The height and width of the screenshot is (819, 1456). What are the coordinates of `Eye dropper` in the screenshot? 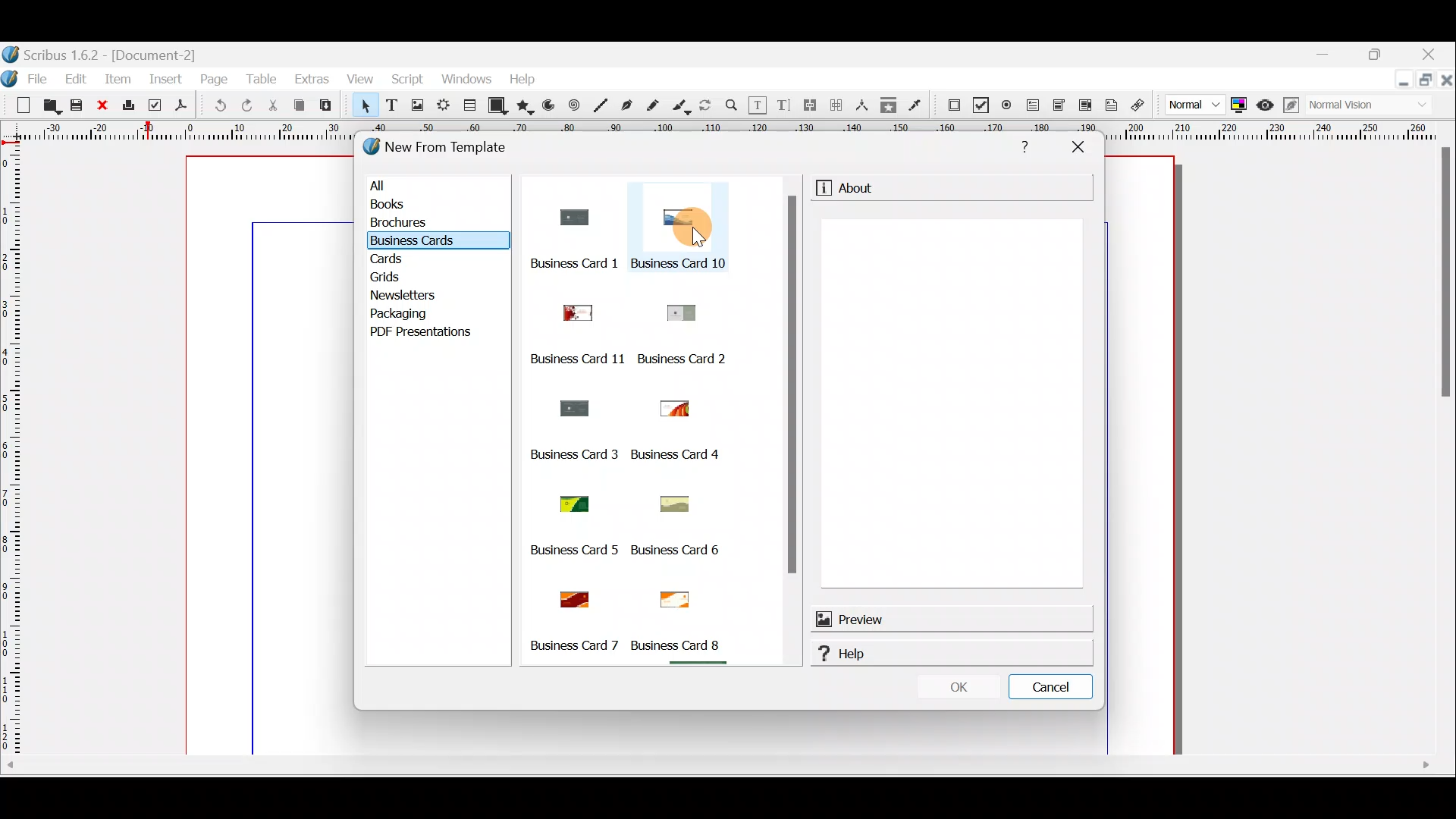 It's located at (918, 104).